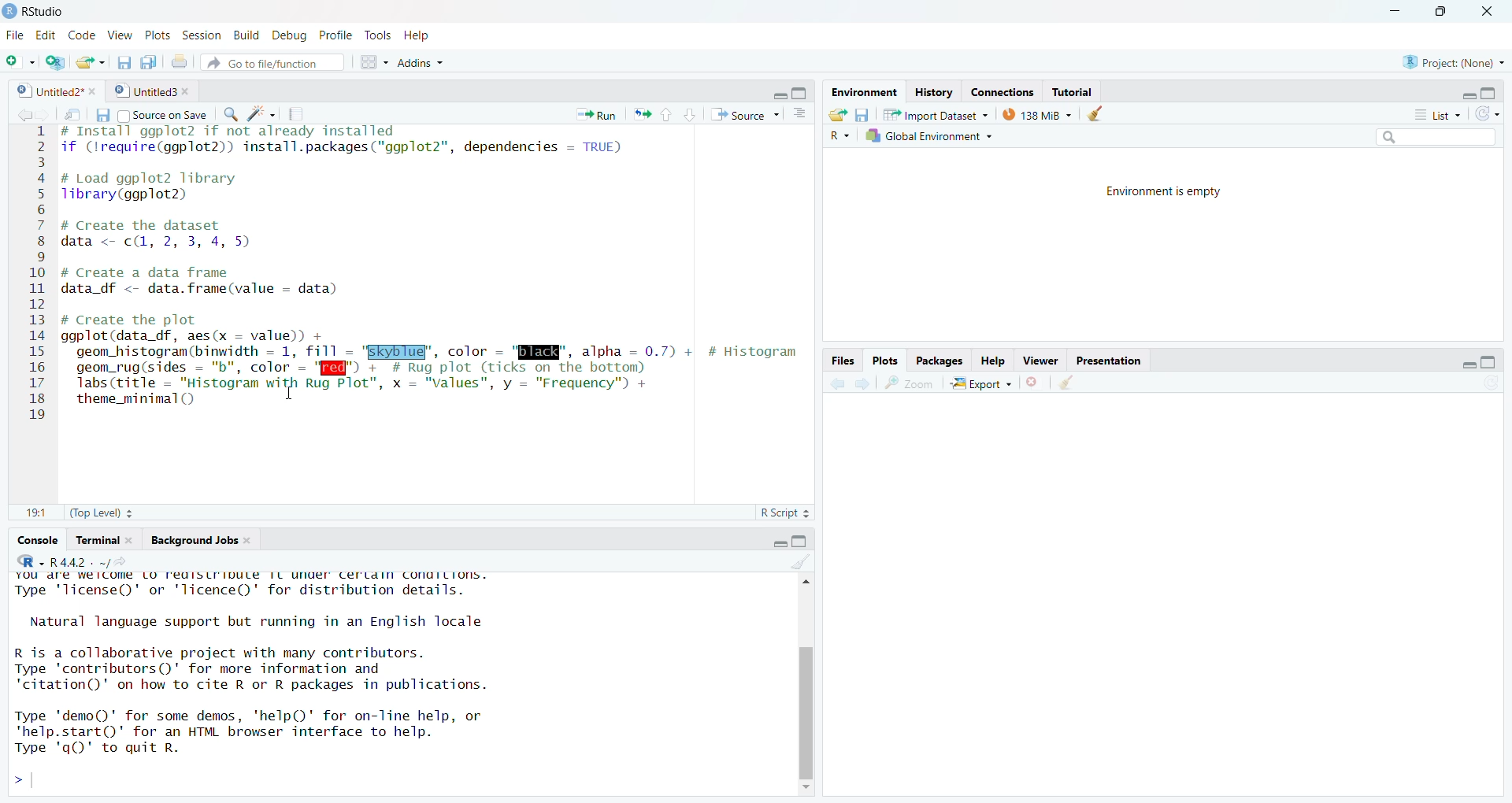 This screenshot has height=803, width=1512. What do you see at coordinates (371, 61) in the screenshot?
I see `workspace` at bounding box center [371, 61].